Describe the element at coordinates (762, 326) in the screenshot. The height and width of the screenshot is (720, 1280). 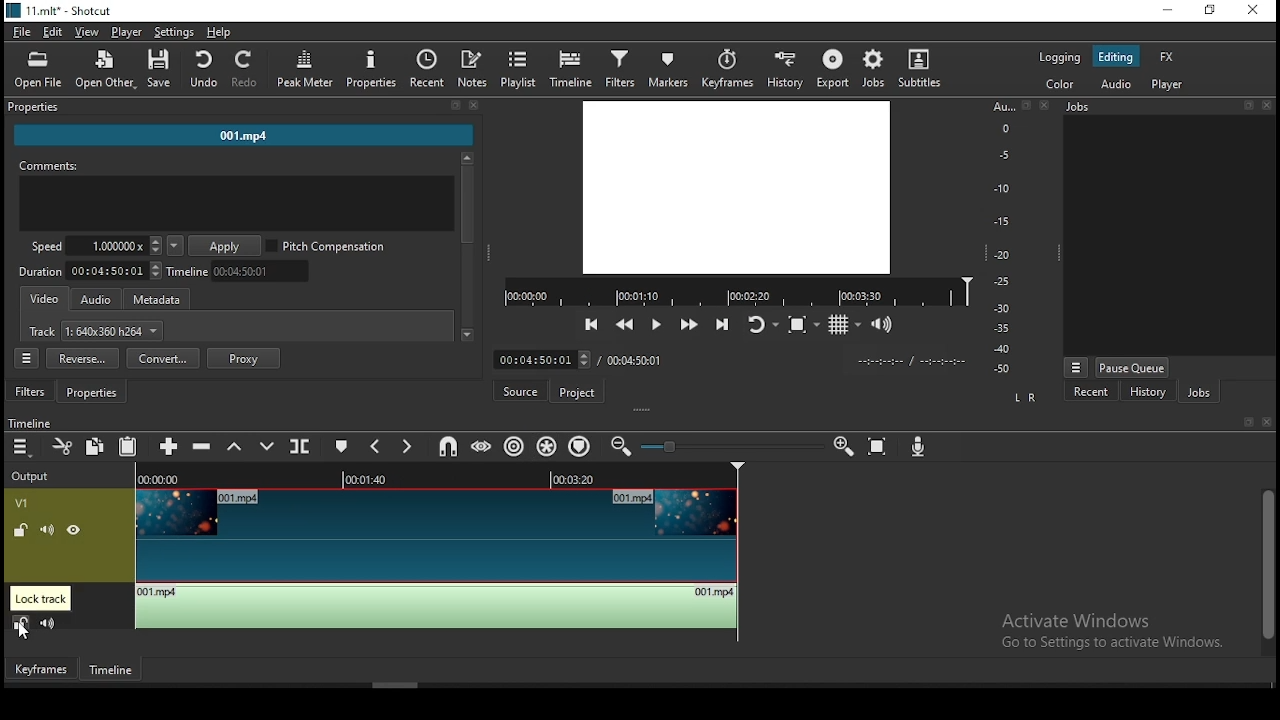
I see `toggle player after looping` at that location.